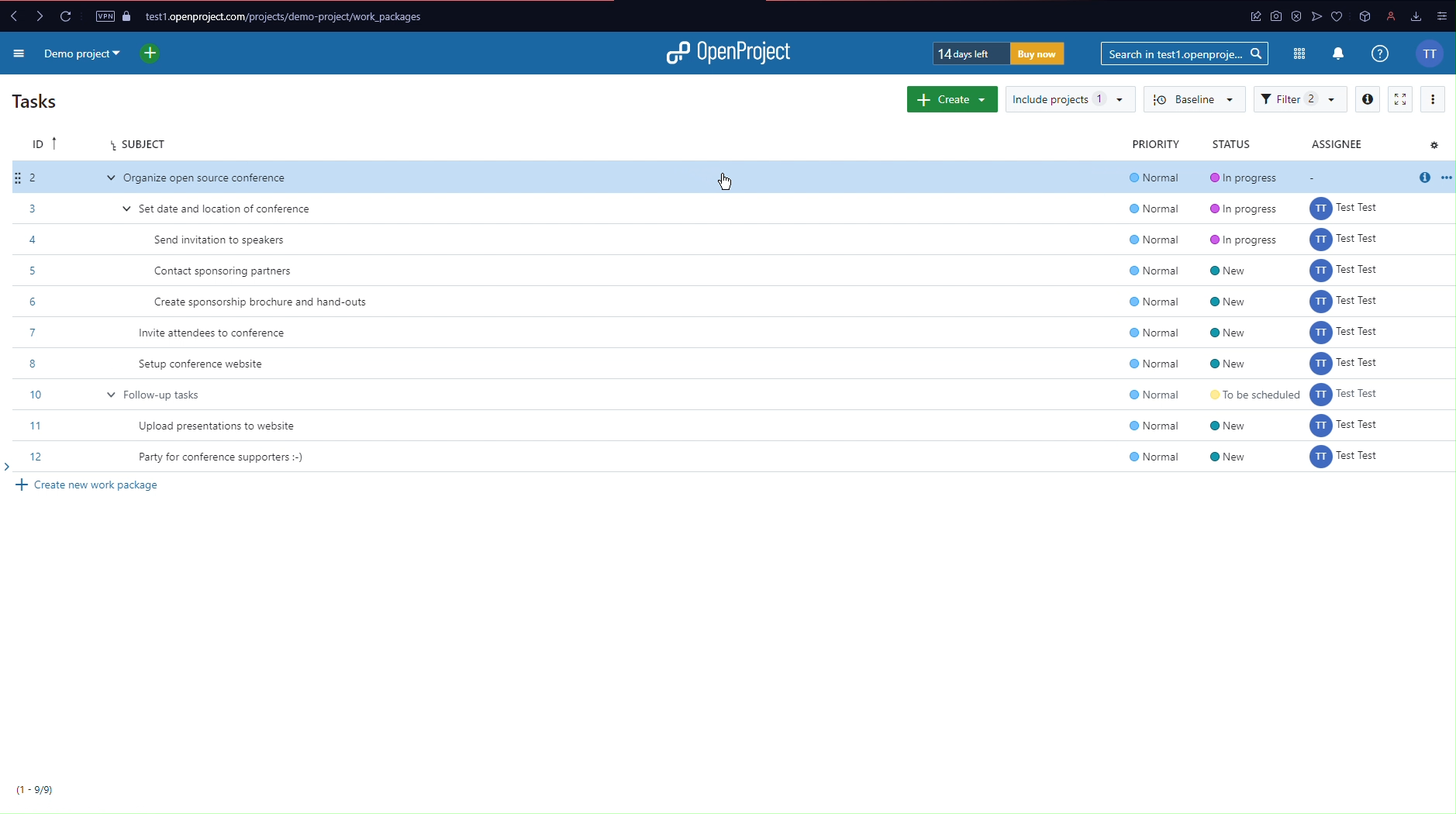 This screenshot has width=1456, height=814. Describe the element at coordinates (153, 53) in the screenshot. I see `New project` at that location.